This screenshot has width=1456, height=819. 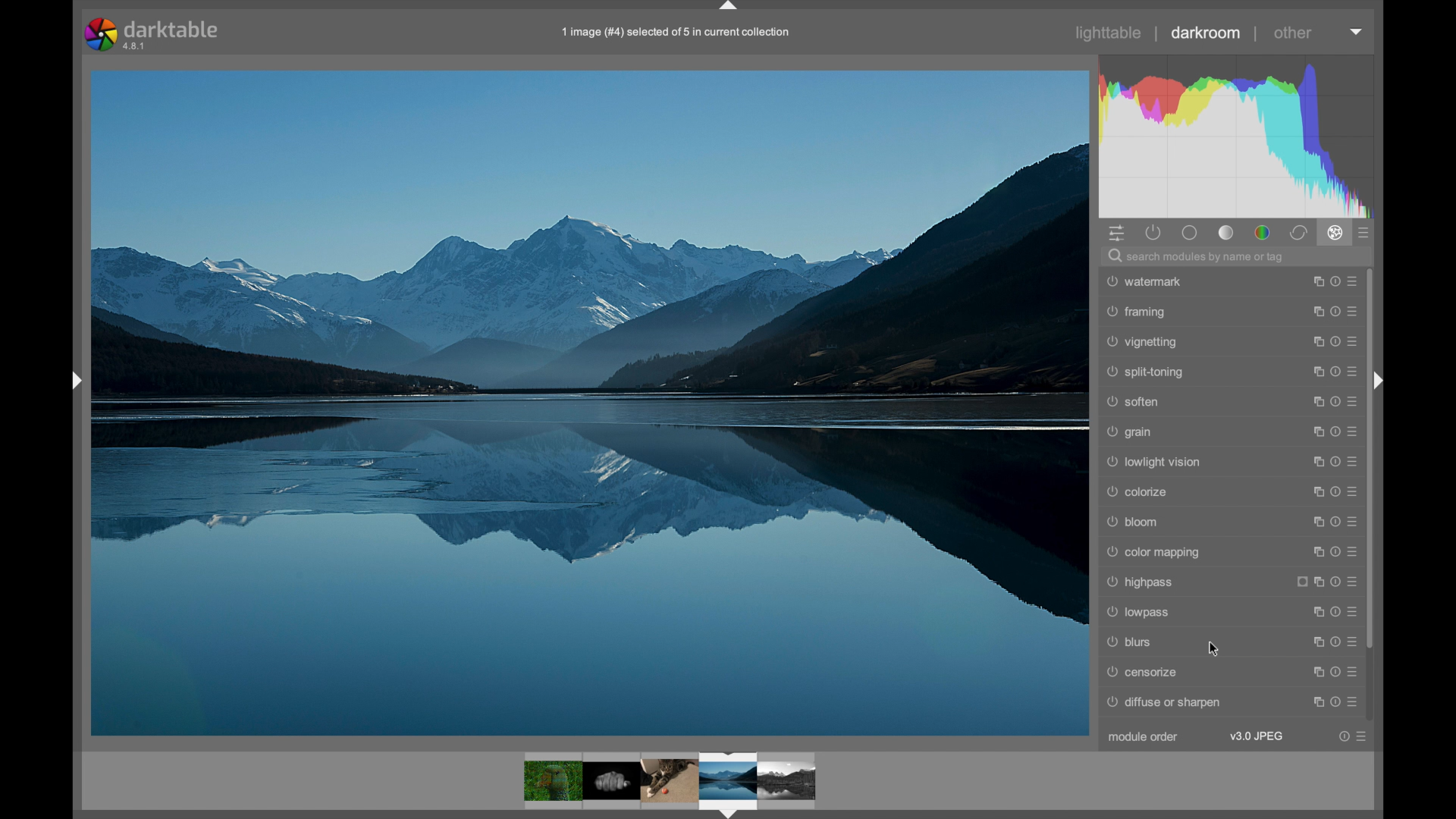 I want to click on other, so click(x=1293, y=33).